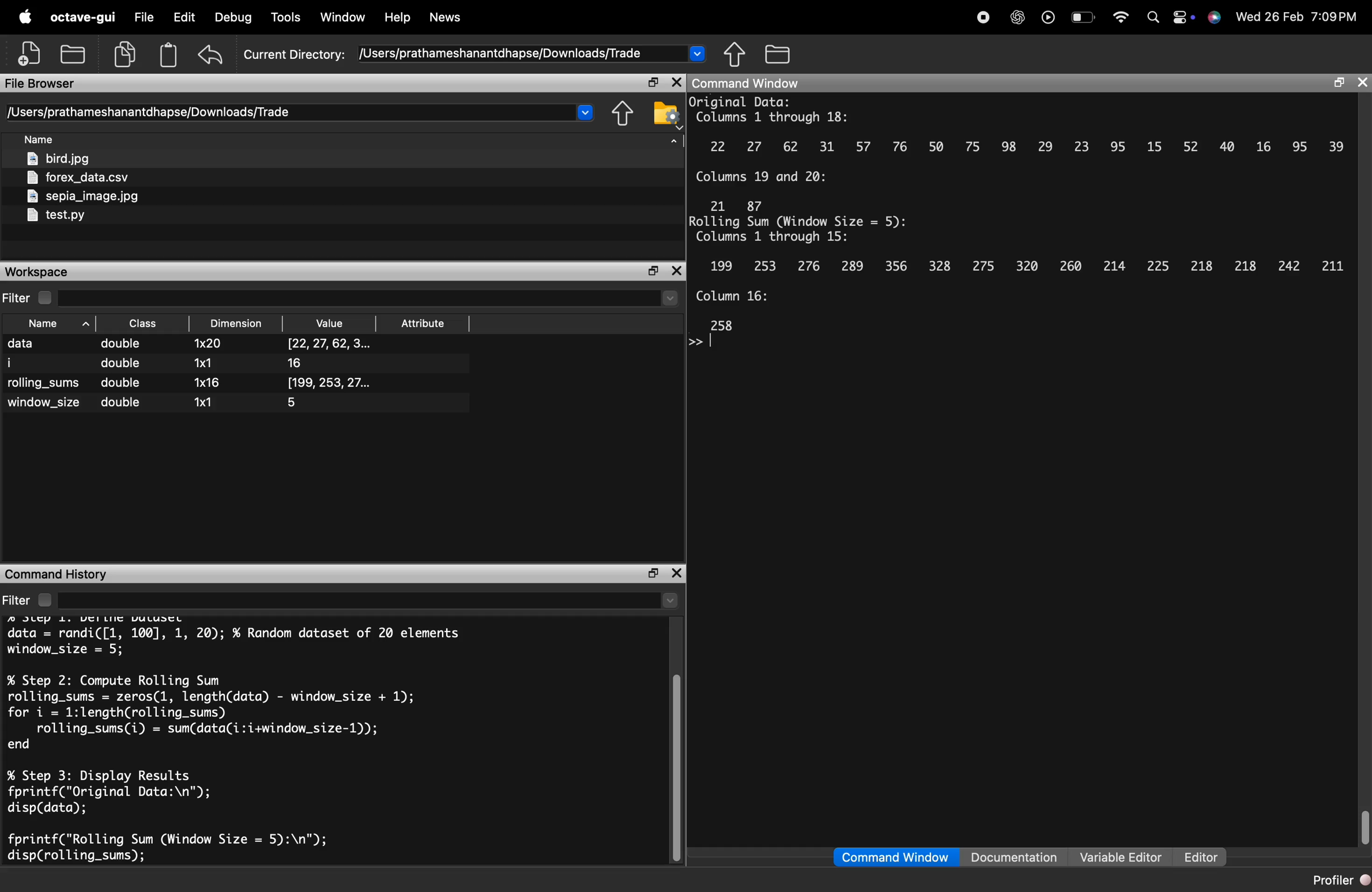  I want to click on close, so click(677, 270).